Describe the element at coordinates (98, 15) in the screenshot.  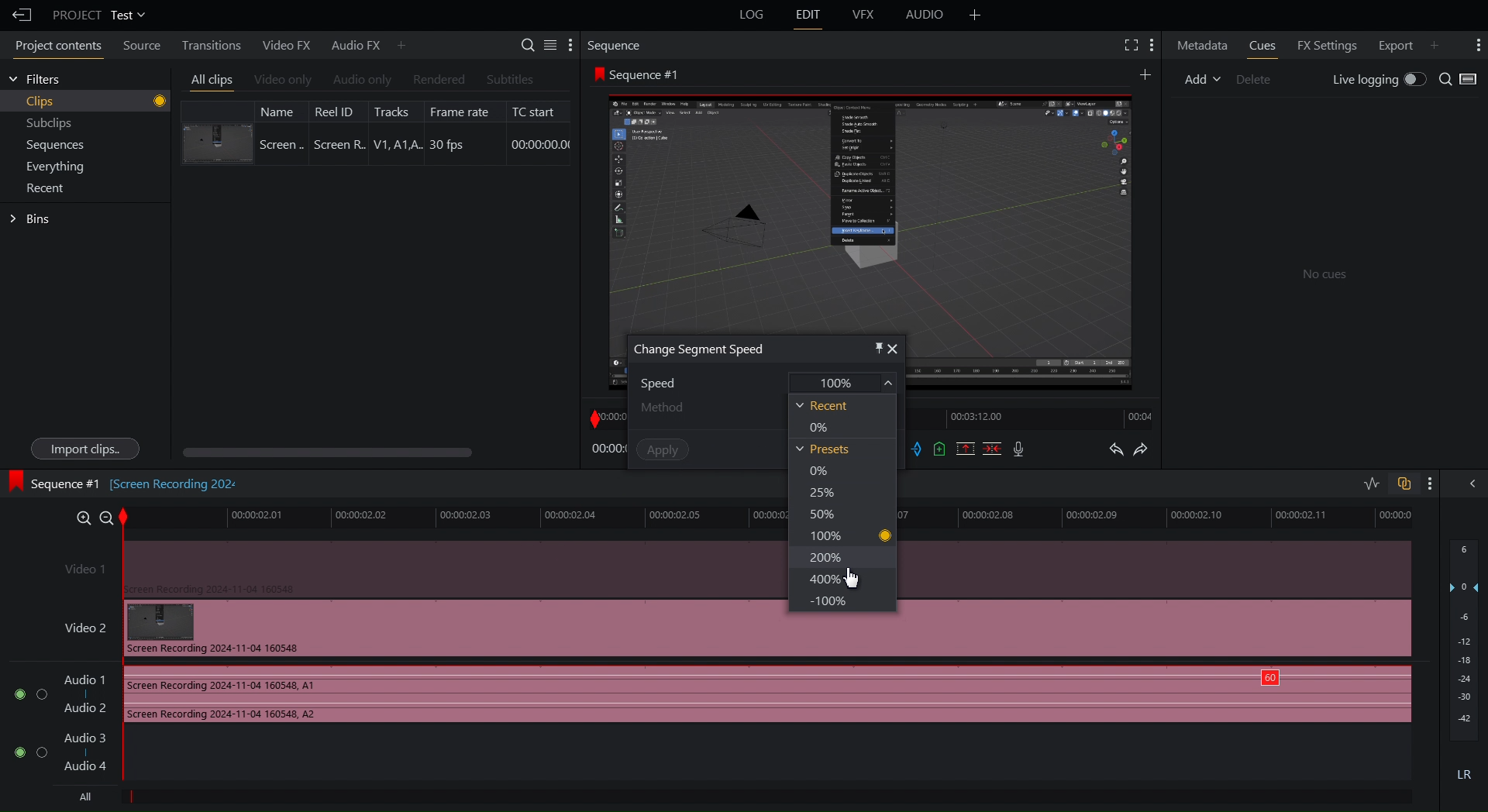
I see `Project Test` at that location.